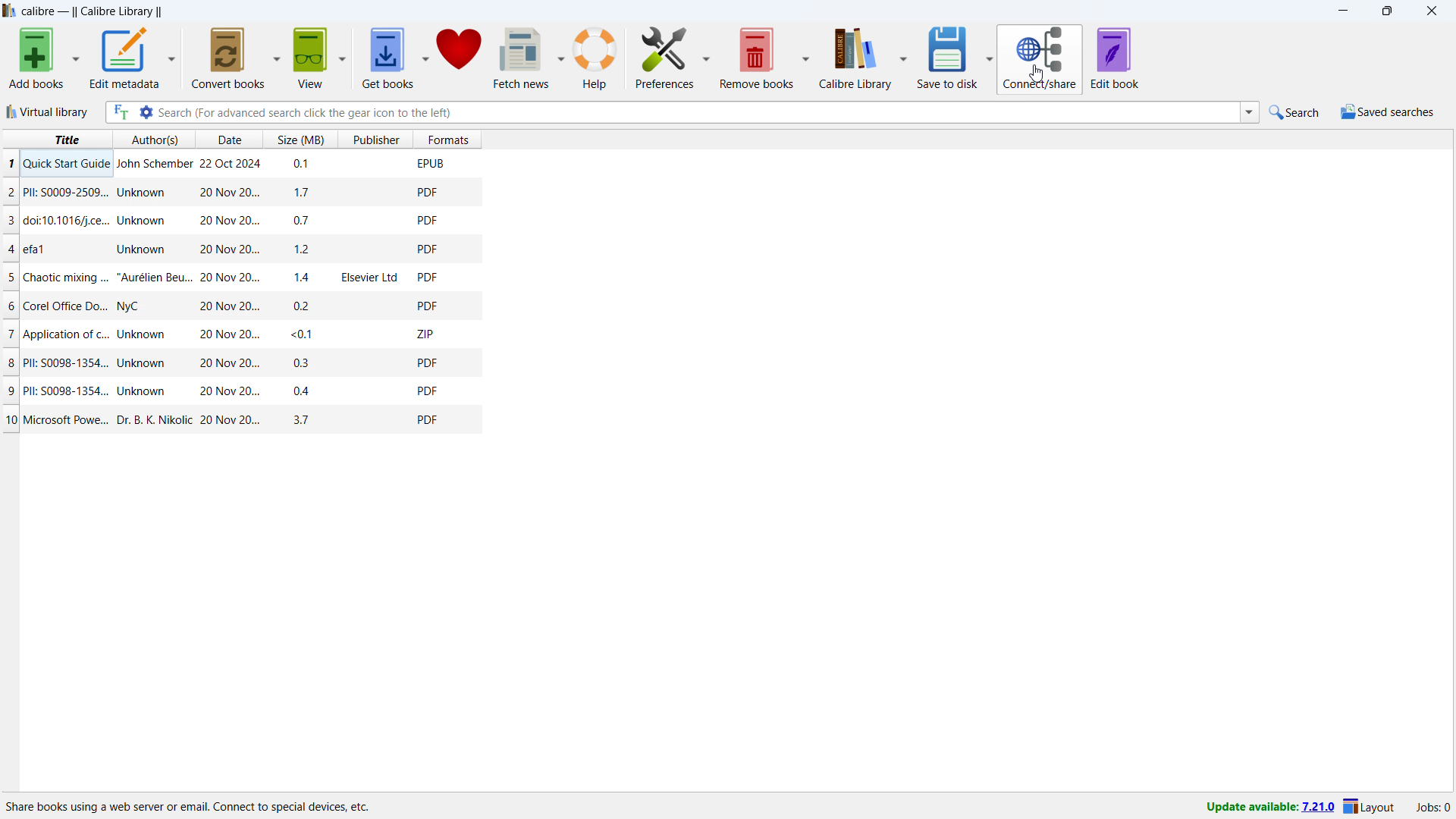  I want to click on get books, so click(310, 58).